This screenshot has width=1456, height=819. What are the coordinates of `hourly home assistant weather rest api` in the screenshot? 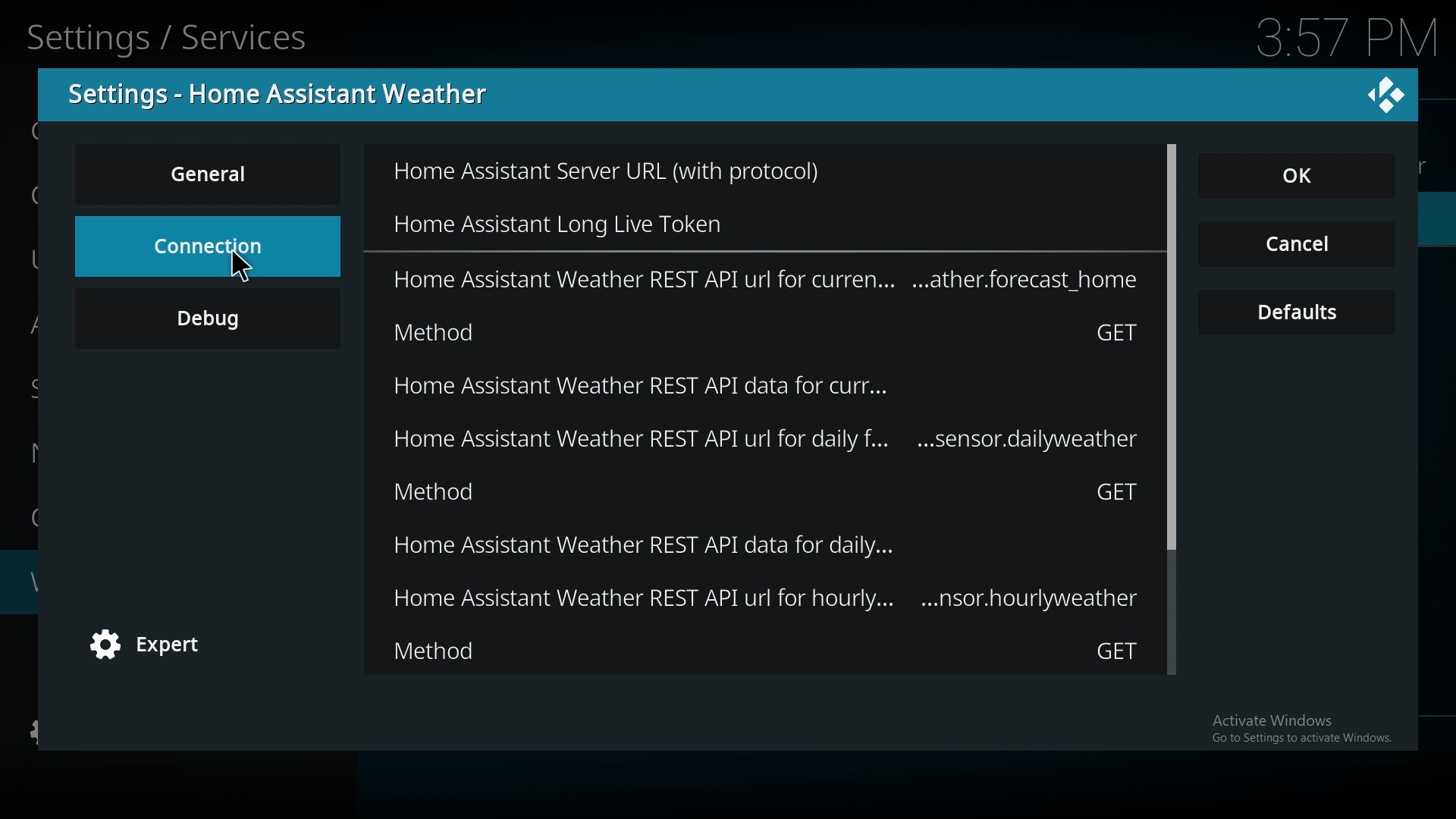 It's located at (766, 600).